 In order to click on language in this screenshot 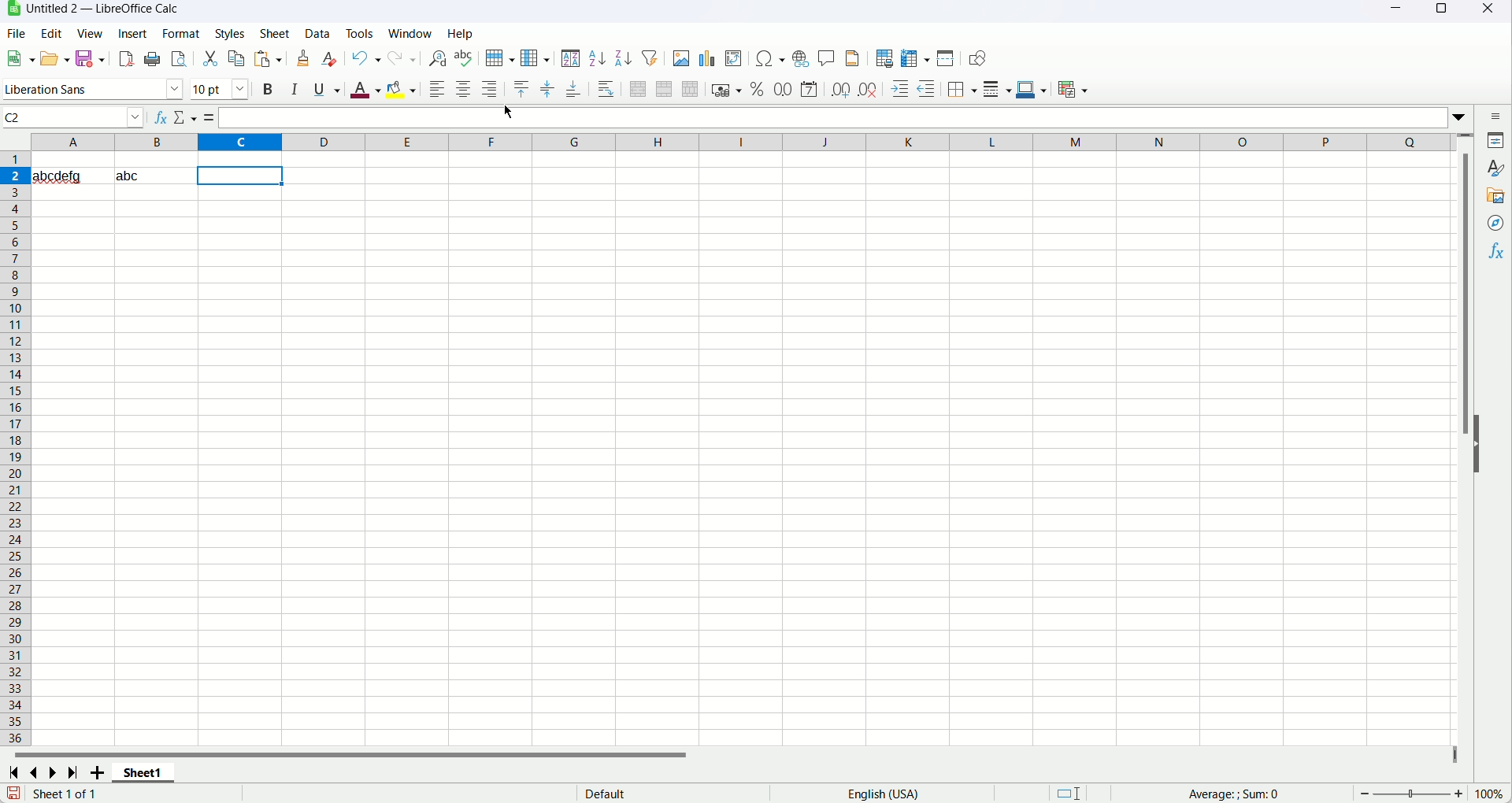, I will do `click(883, 794)`.